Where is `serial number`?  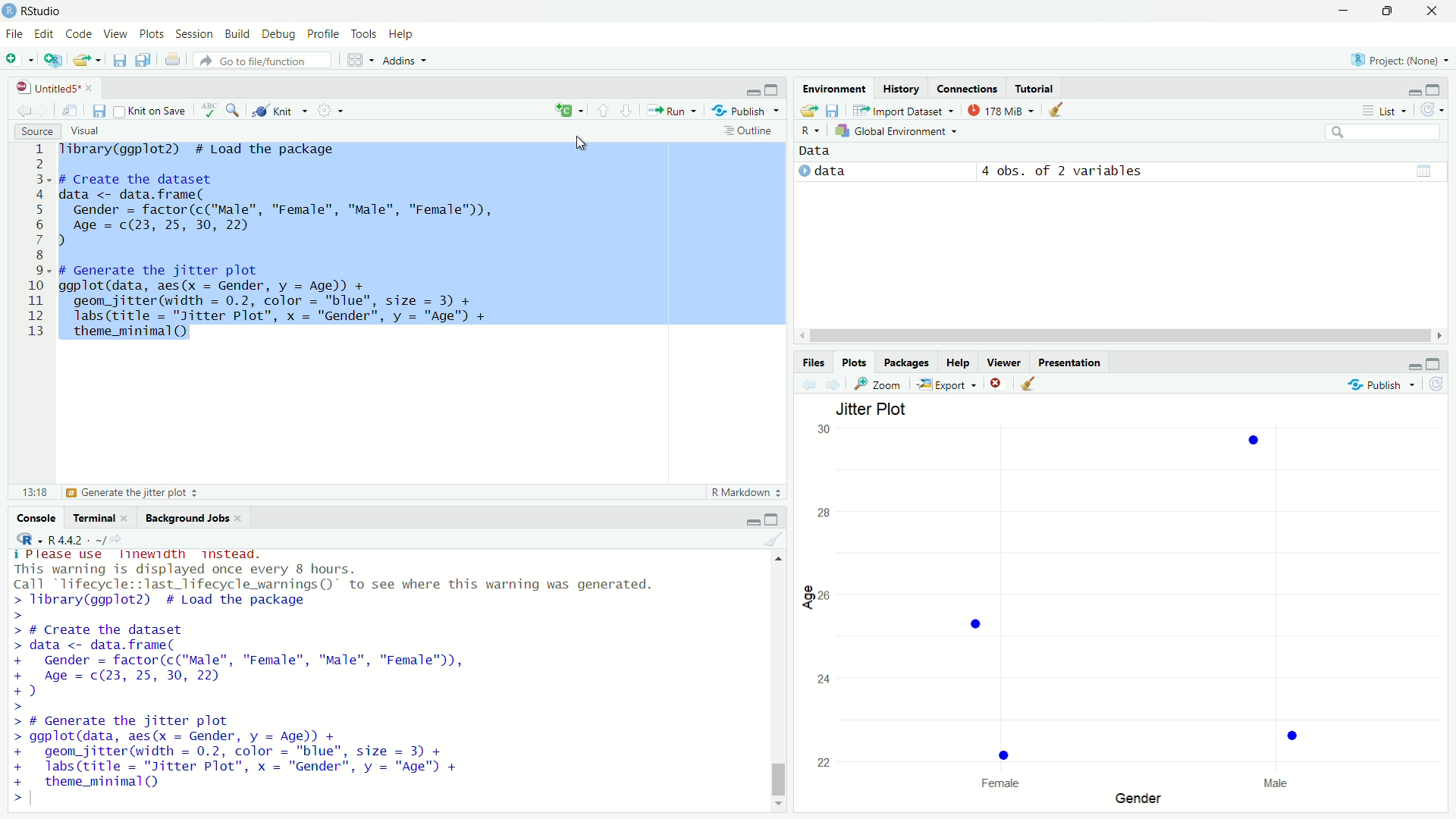
serial number is located at coordinates (34, 243).